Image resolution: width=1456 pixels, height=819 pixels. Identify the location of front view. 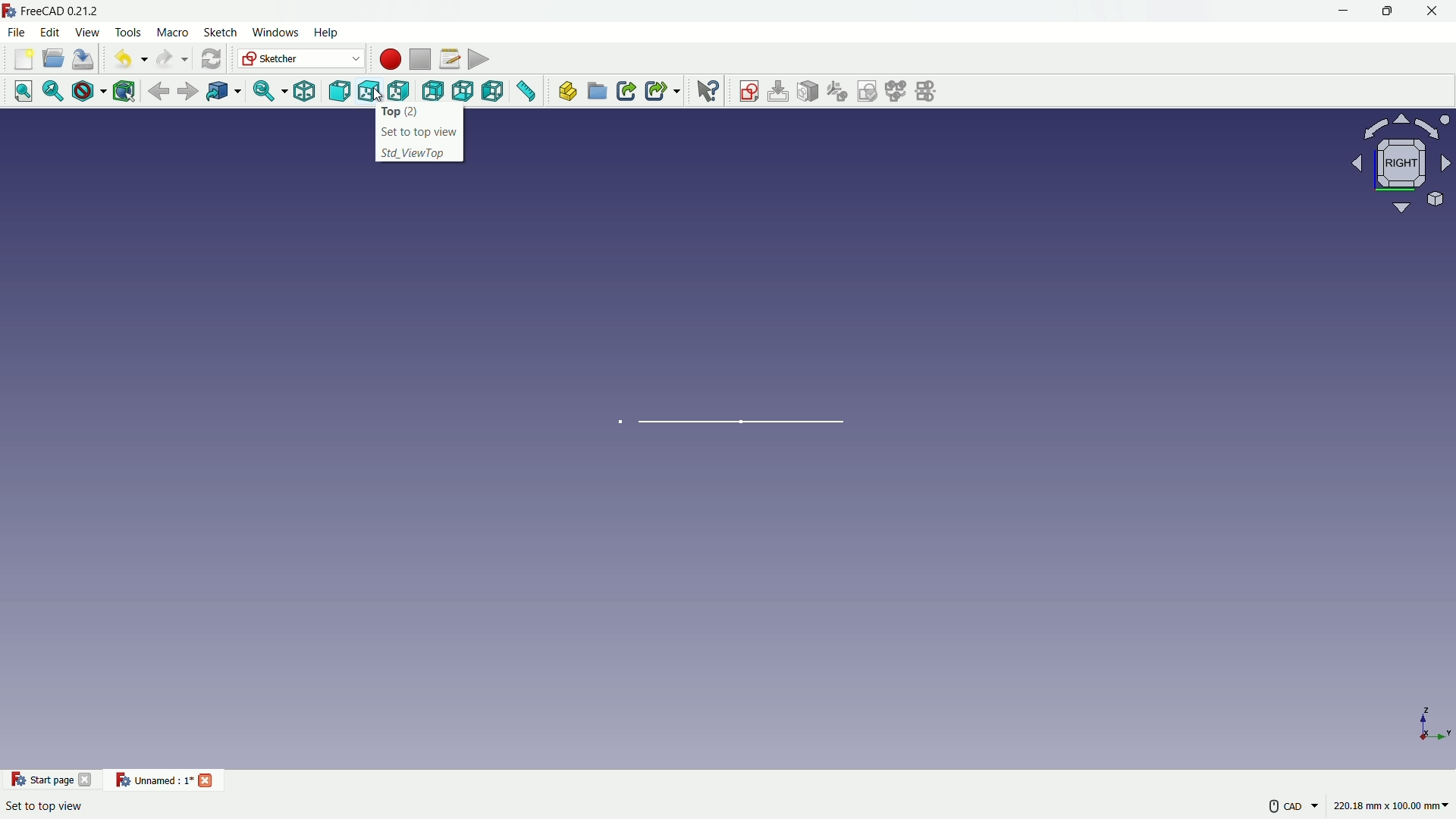
(340, 92).